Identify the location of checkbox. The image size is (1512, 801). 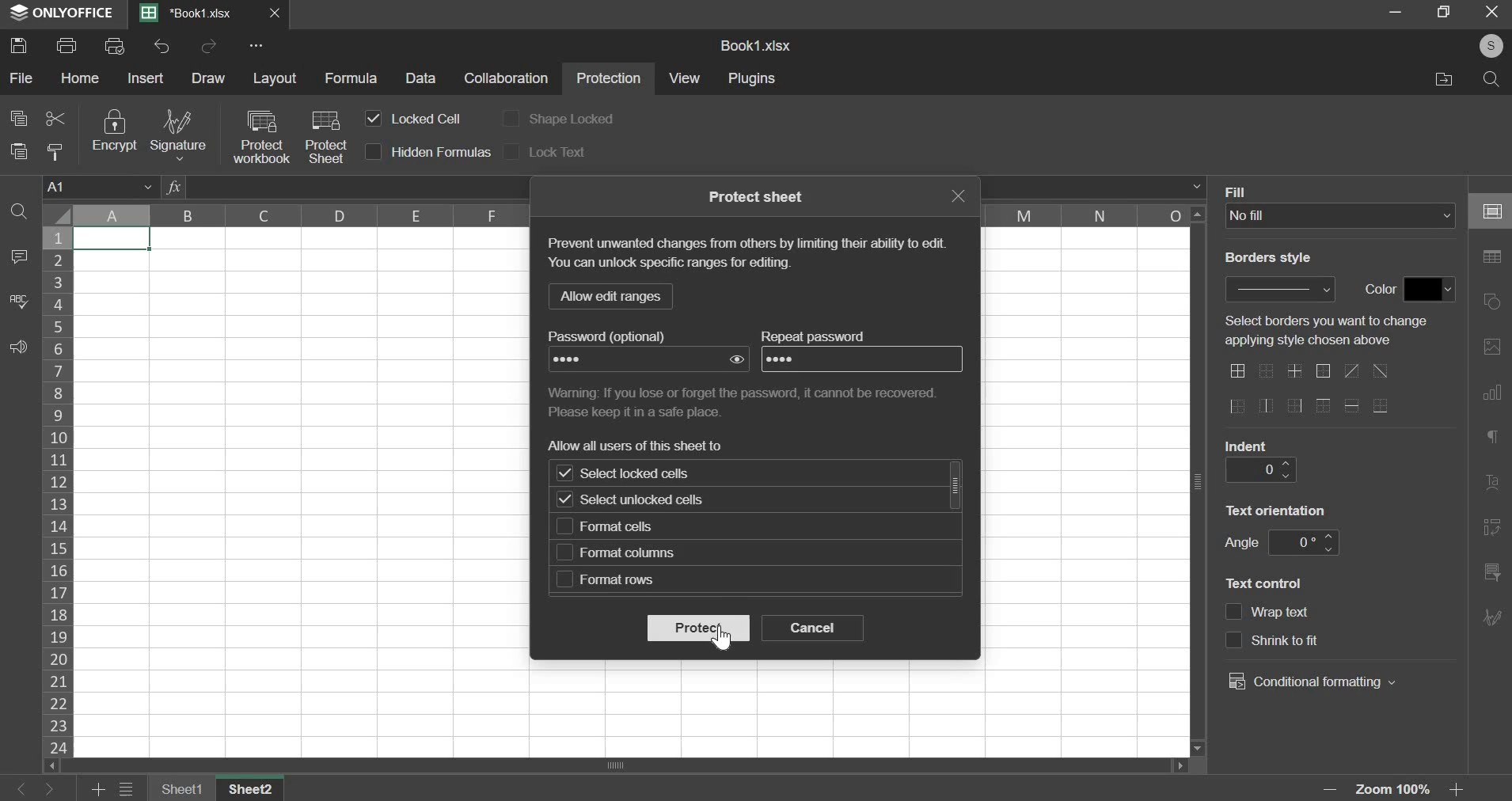
(511, 117).